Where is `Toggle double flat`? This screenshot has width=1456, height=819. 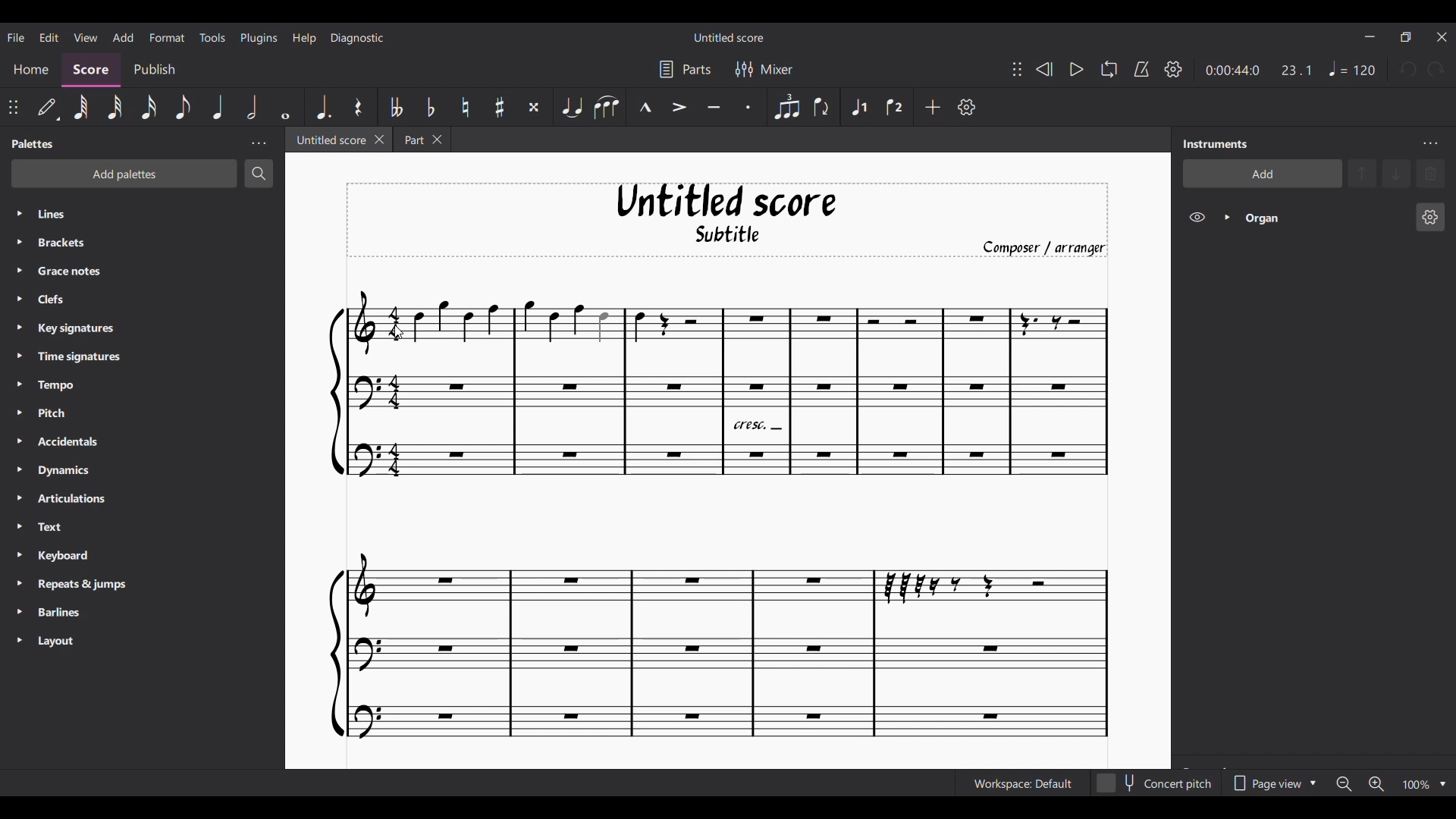 Toggle double flat is located at coordinates (397, 107).